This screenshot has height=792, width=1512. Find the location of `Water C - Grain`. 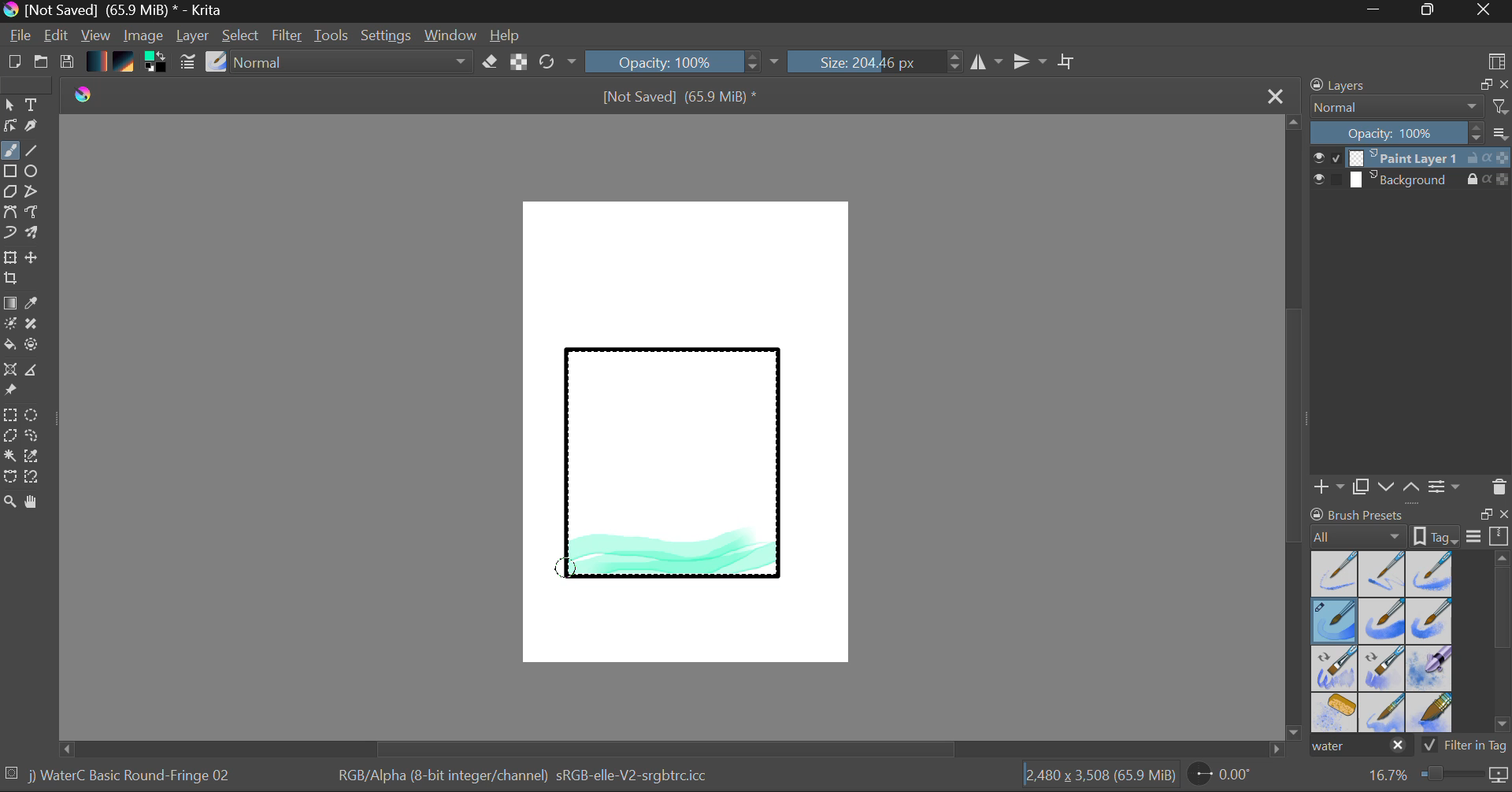

Water C - Grain is located at coordinates (1383, 622).